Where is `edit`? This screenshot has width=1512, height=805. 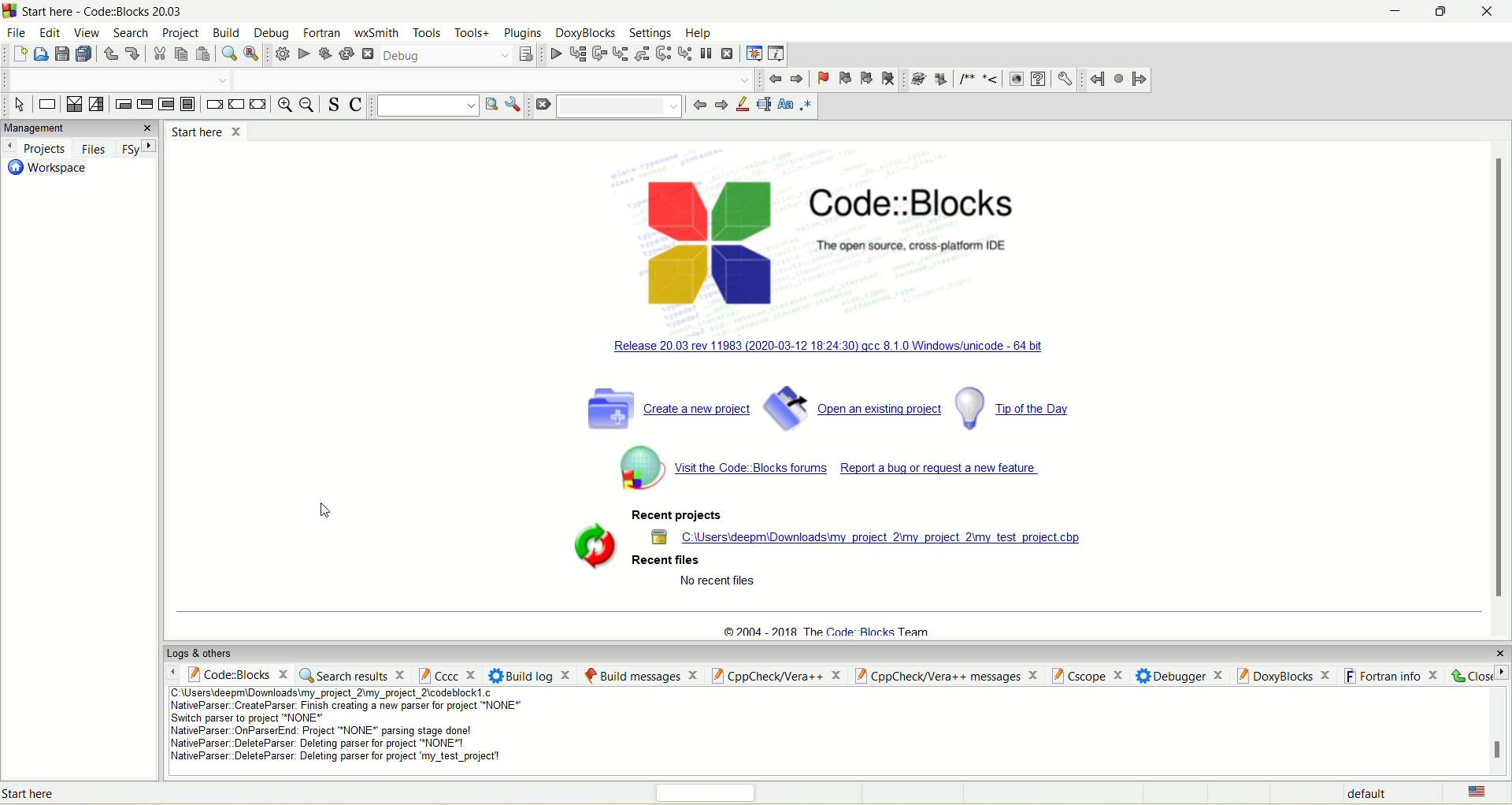
edit is located at coordinates (50, 35).